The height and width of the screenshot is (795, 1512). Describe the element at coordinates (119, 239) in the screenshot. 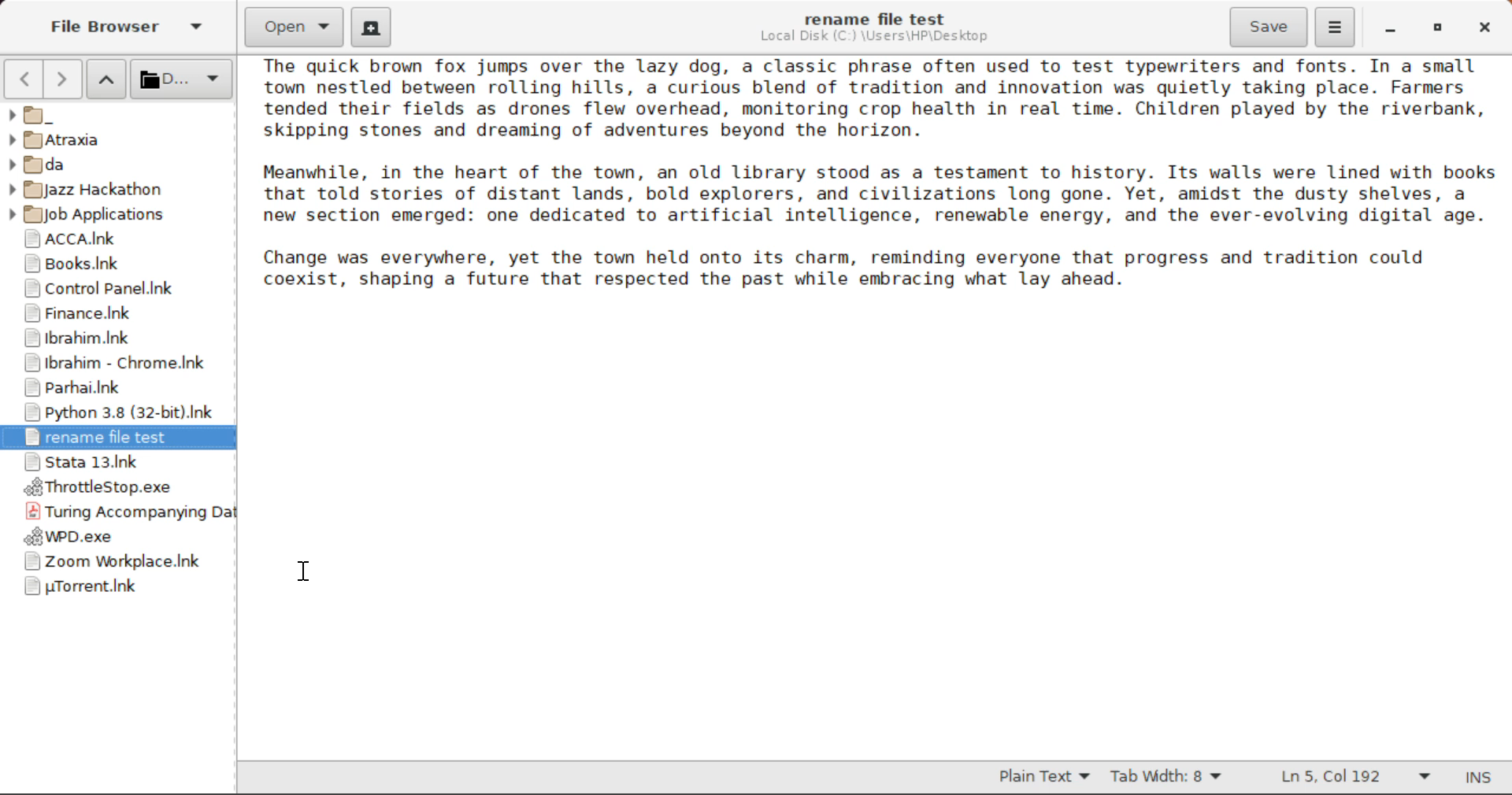

I see `ACCA Folder Shortcut Link` at that location.